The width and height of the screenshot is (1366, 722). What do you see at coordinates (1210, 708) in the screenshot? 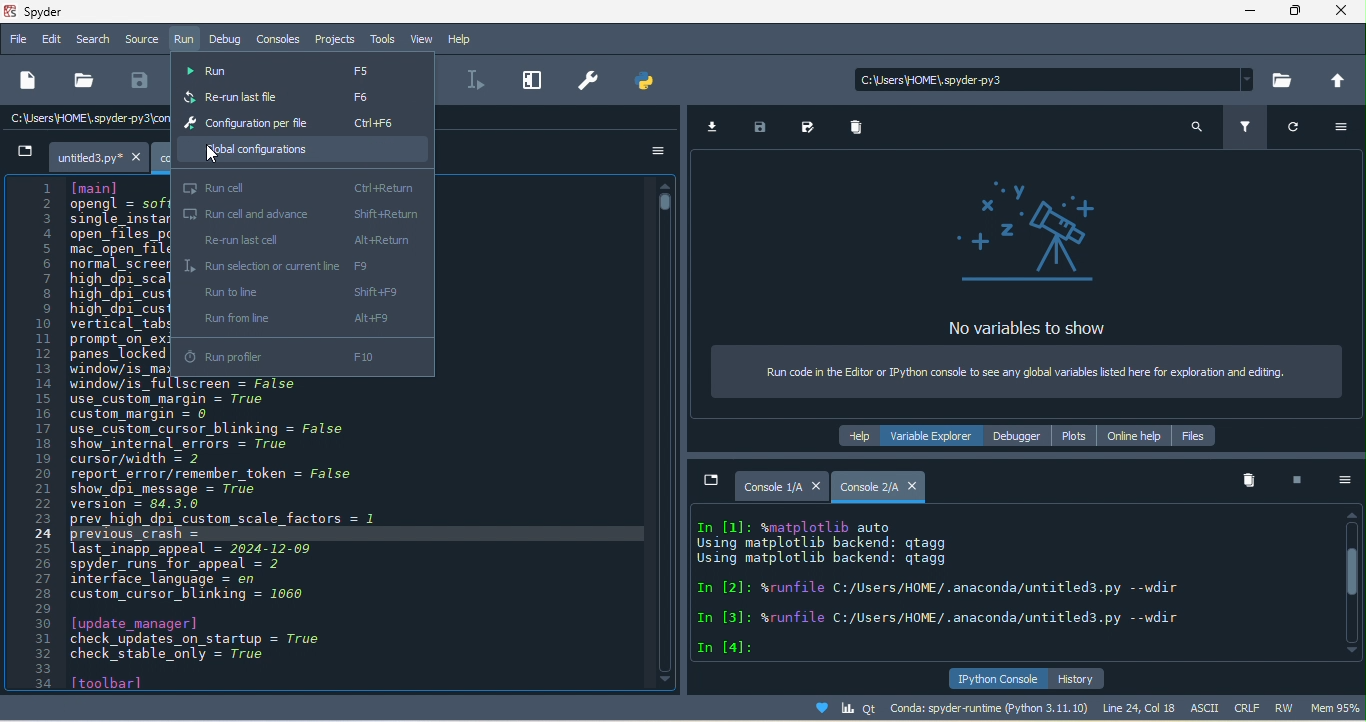
I see `ascii` at bounding box center [1210, 708].